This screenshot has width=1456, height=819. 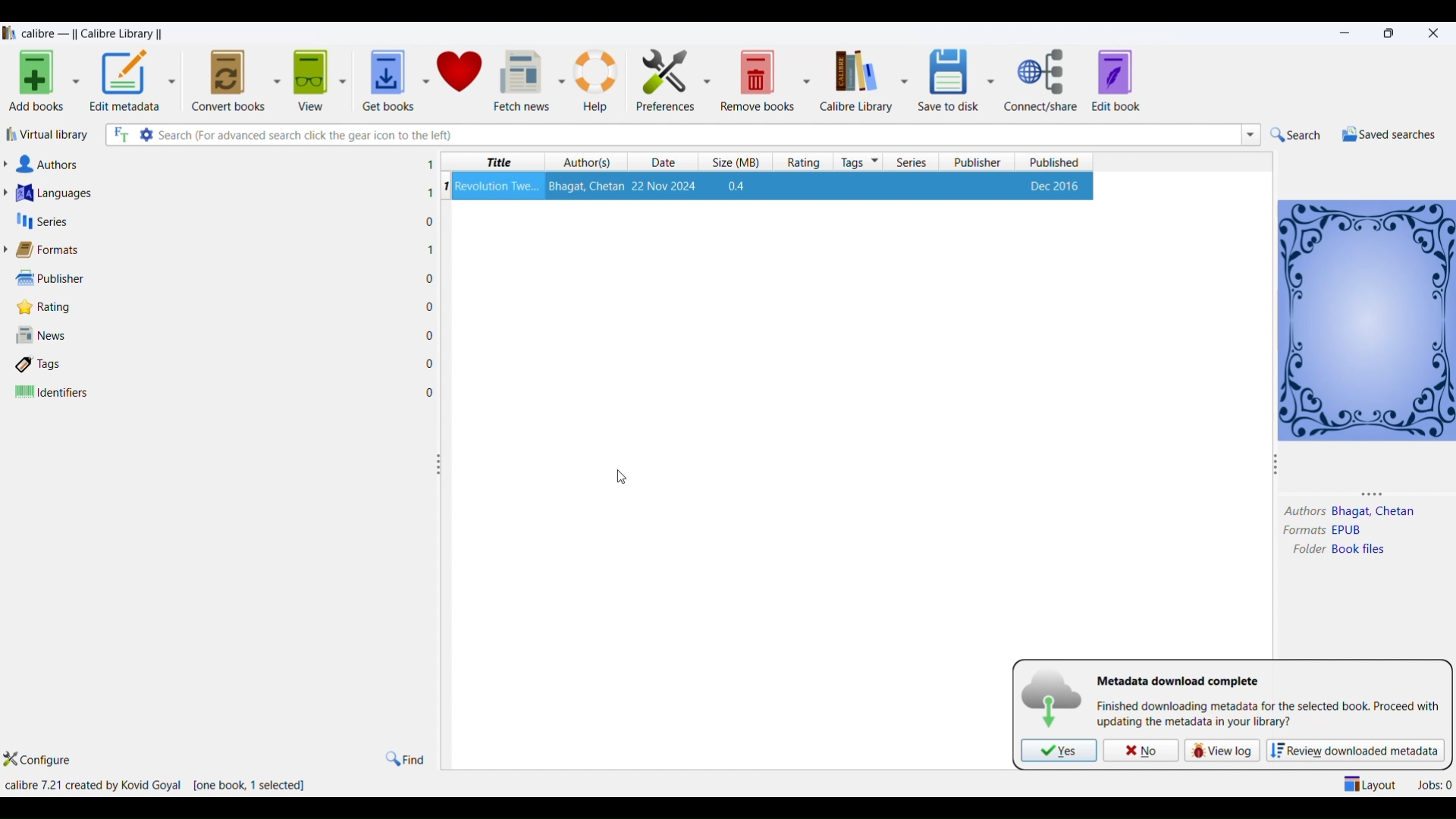 What do you see at coordinates (430, 222) in the screenshot?
I see `0` at bounding box center [430, 222].